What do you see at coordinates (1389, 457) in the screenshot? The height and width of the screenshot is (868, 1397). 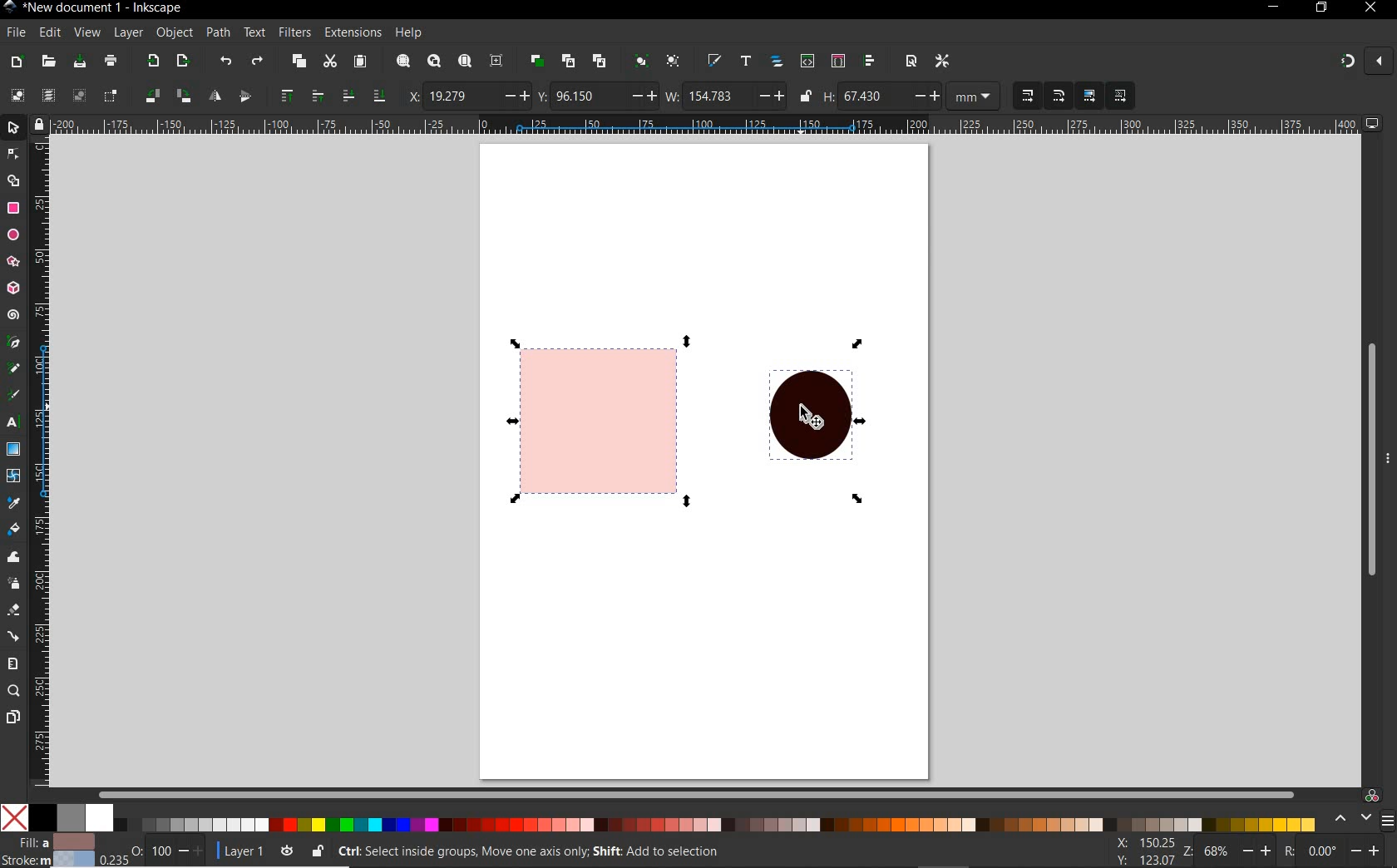 I see `hide` at bounding box center [1389, 457].